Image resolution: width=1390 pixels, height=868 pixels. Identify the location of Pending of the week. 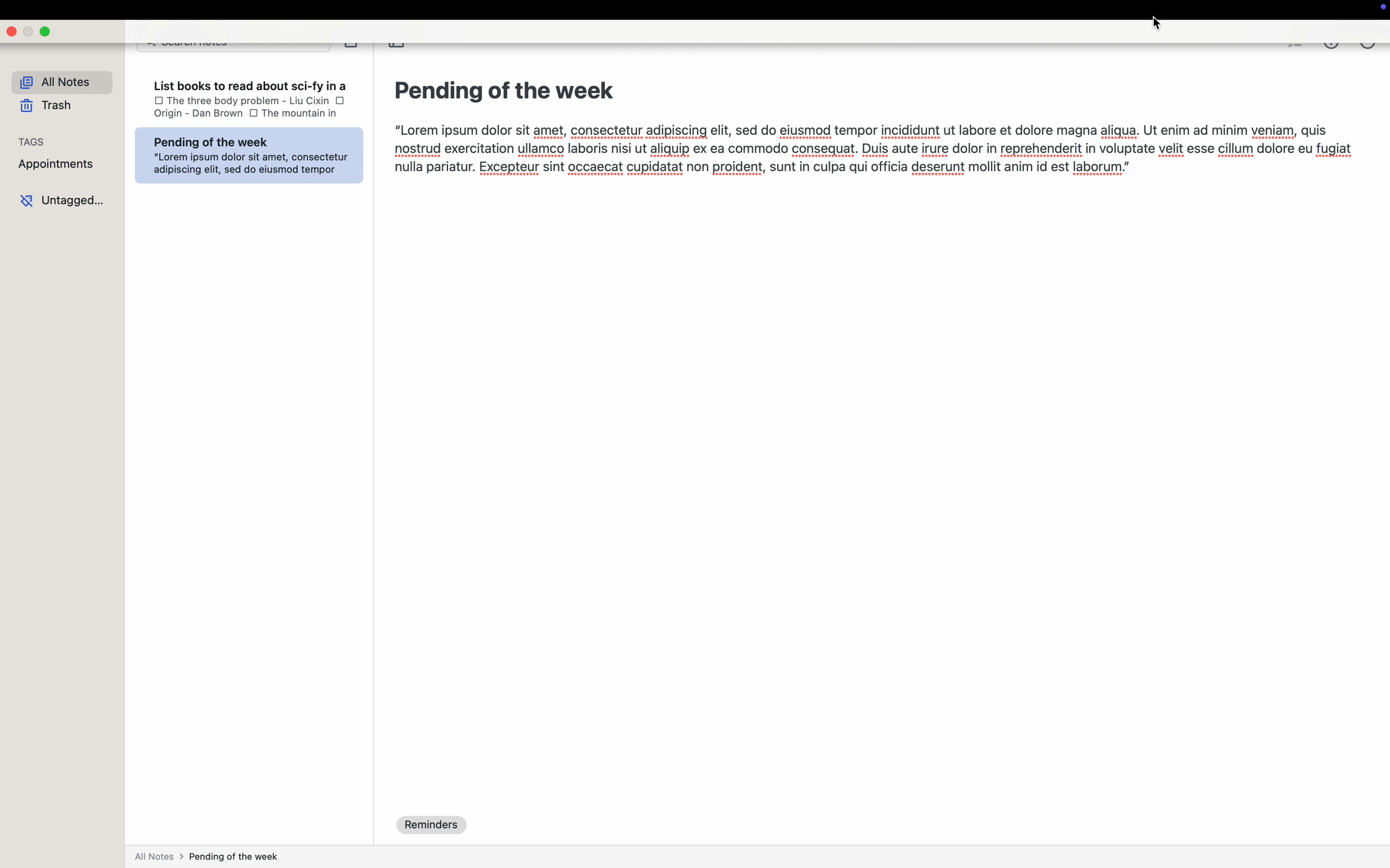
(504, 91).